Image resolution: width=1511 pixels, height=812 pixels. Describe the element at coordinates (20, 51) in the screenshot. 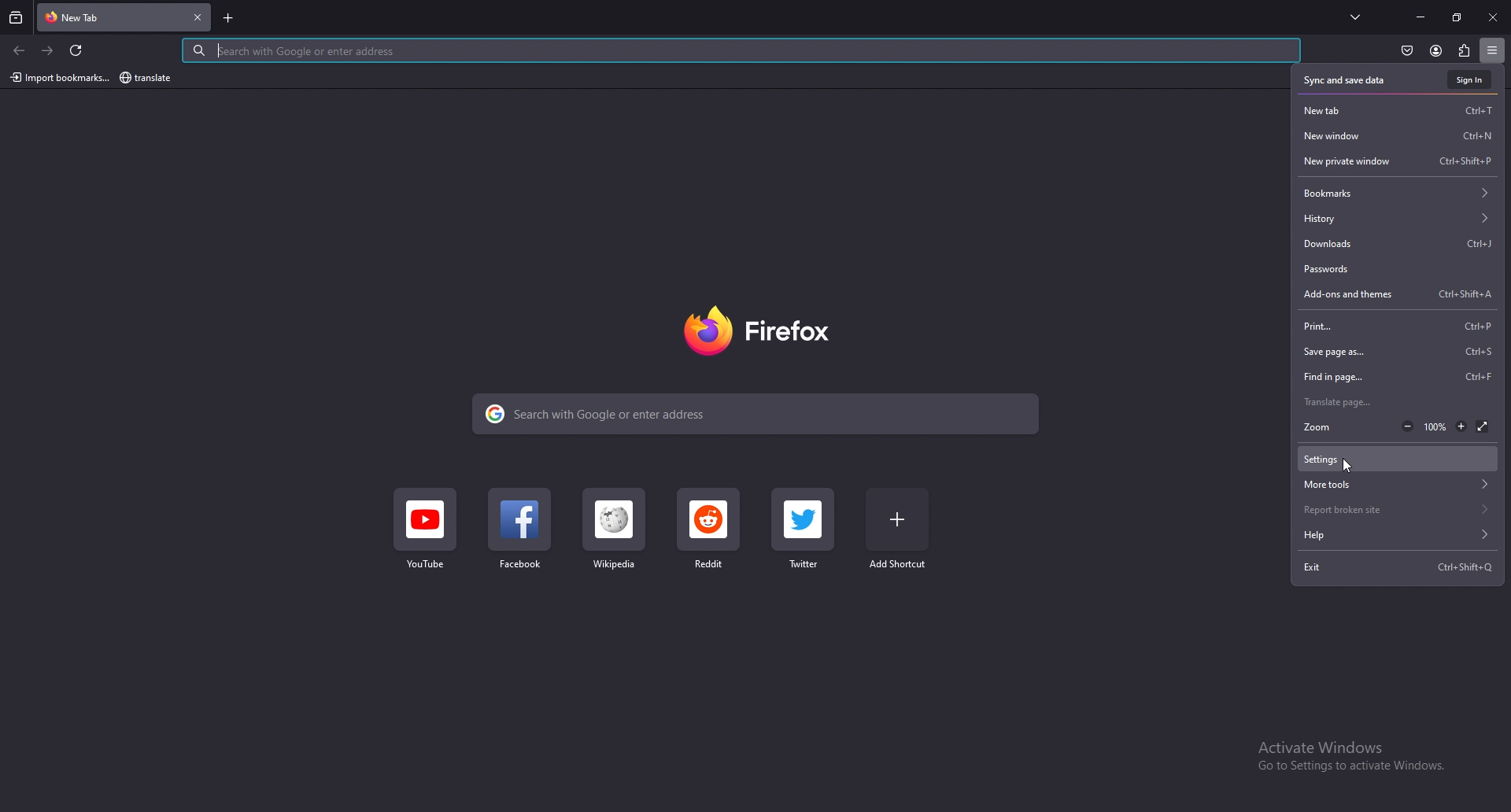

I see `back` at that location.